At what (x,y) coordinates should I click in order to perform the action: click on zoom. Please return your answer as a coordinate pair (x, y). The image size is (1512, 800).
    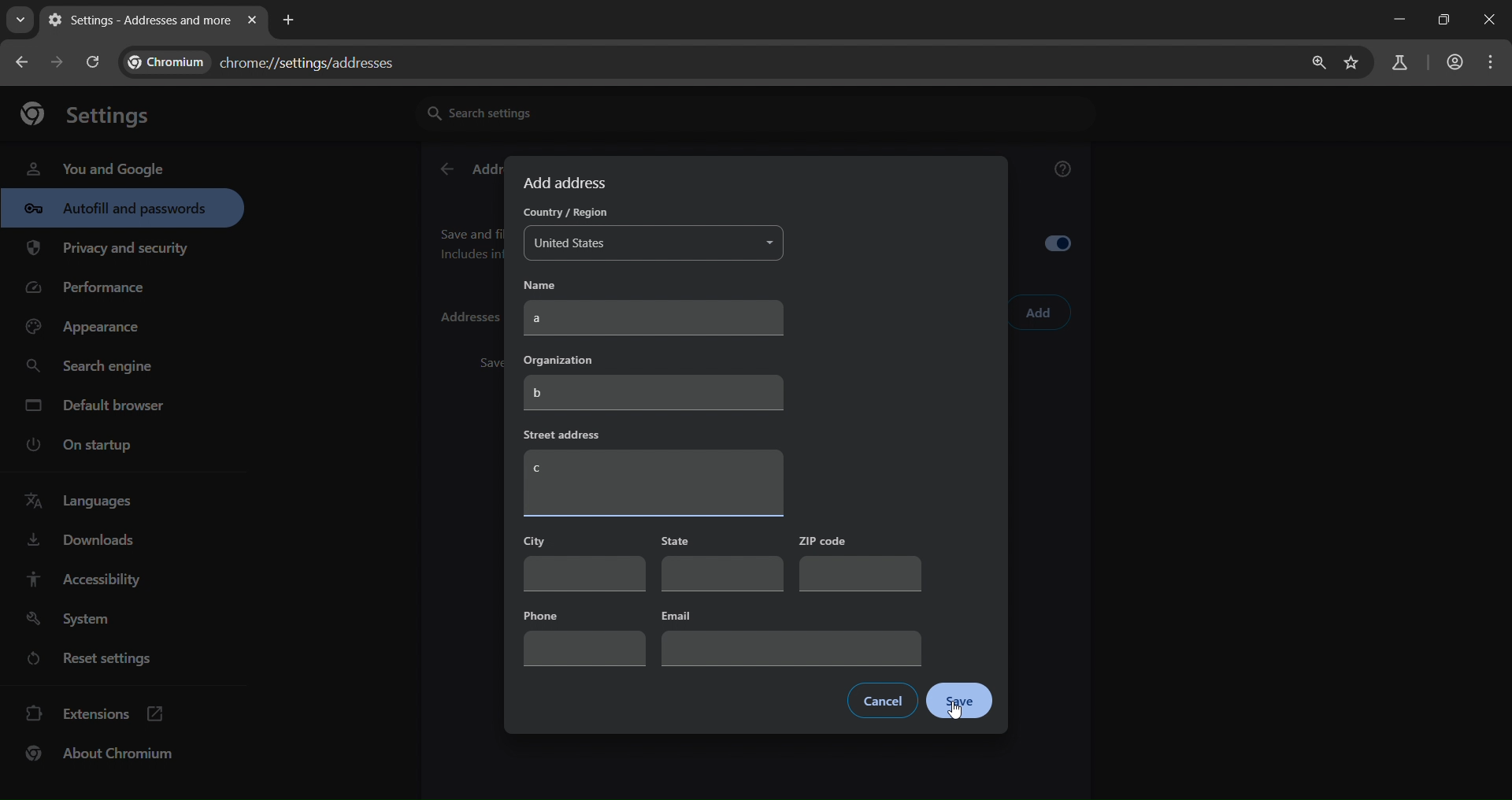
    Looking at the image, I should click on (1314, 63).